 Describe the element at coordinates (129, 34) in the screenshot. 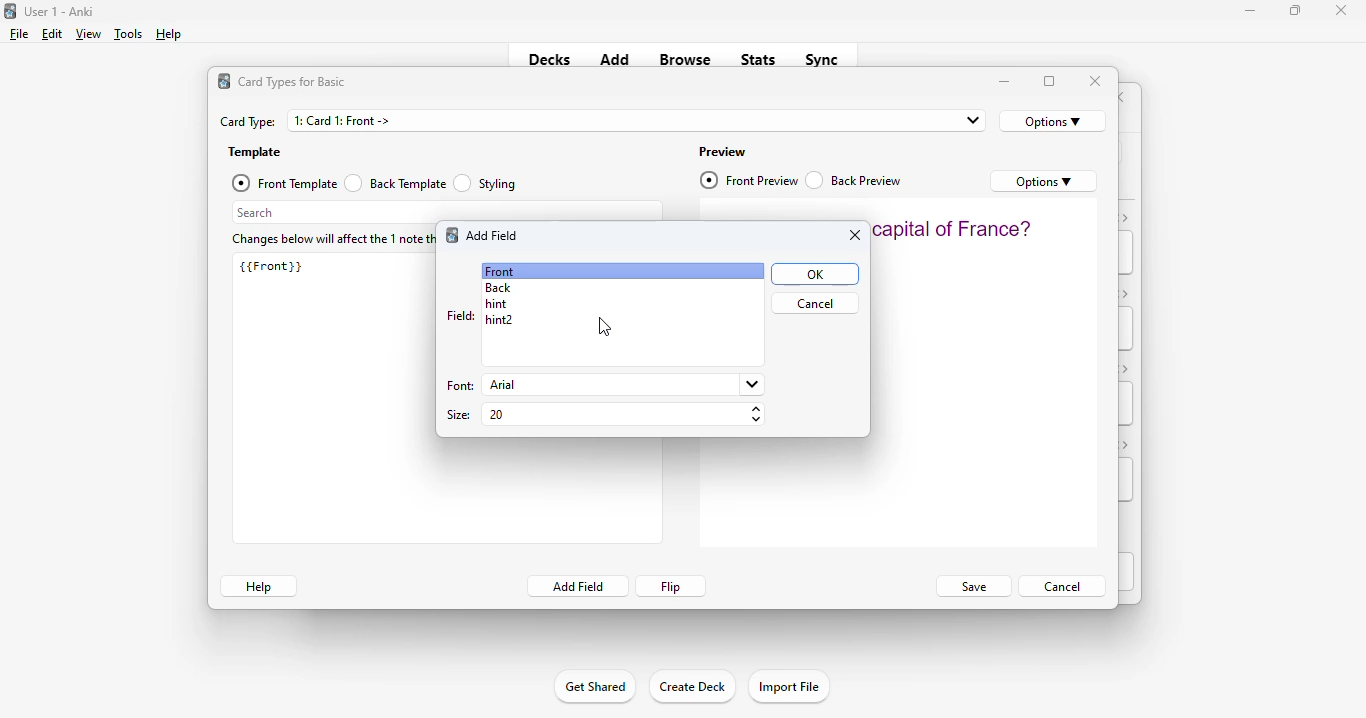

I see `tools` at that location.